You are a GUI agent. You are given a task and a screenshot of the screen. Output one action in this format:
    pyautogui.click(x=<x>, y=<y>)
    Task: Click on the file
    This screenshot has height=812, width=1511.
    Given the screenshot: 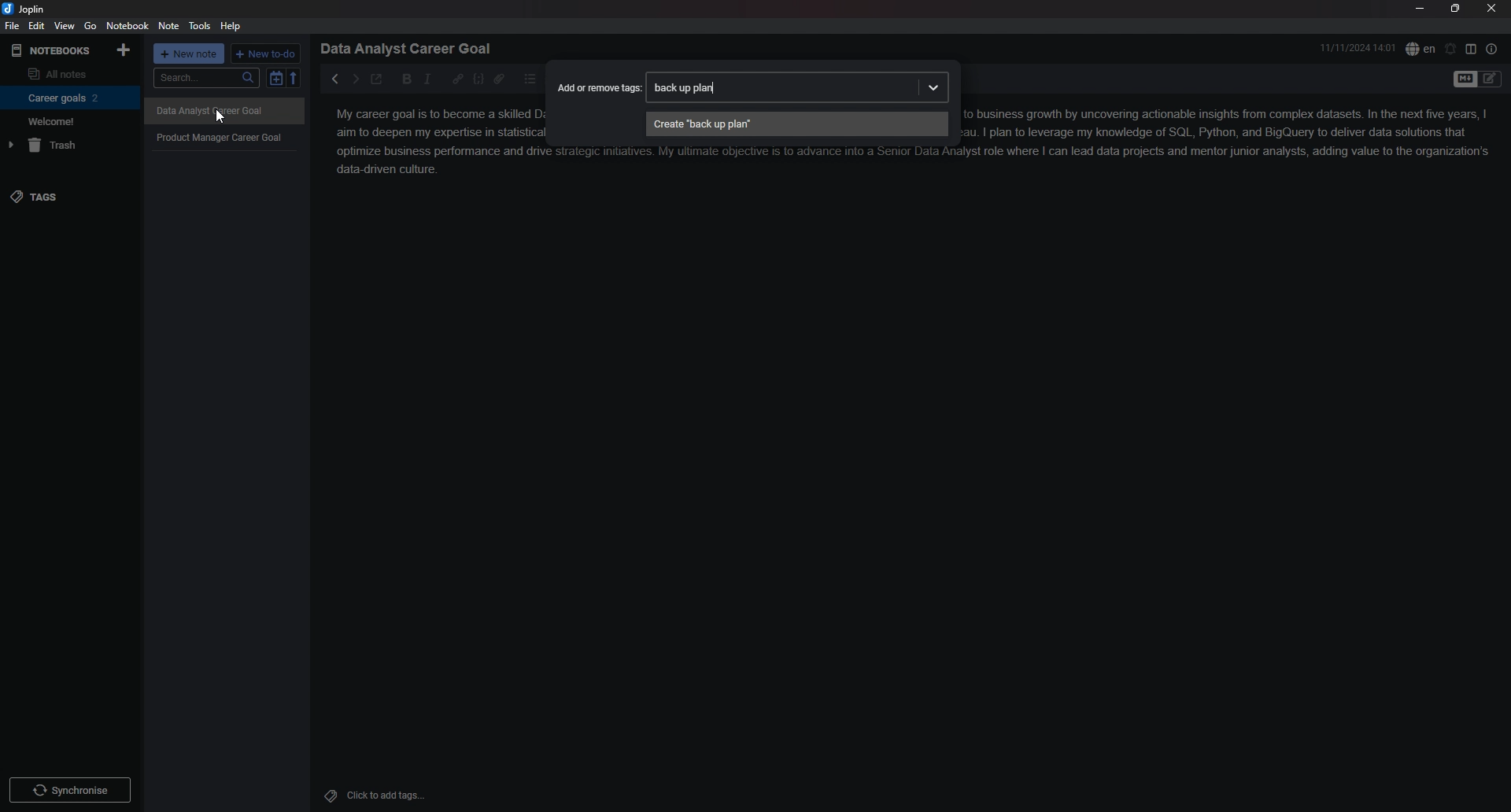 What is the action you would take?
    pyautogui.click(x=13, y=25)
    